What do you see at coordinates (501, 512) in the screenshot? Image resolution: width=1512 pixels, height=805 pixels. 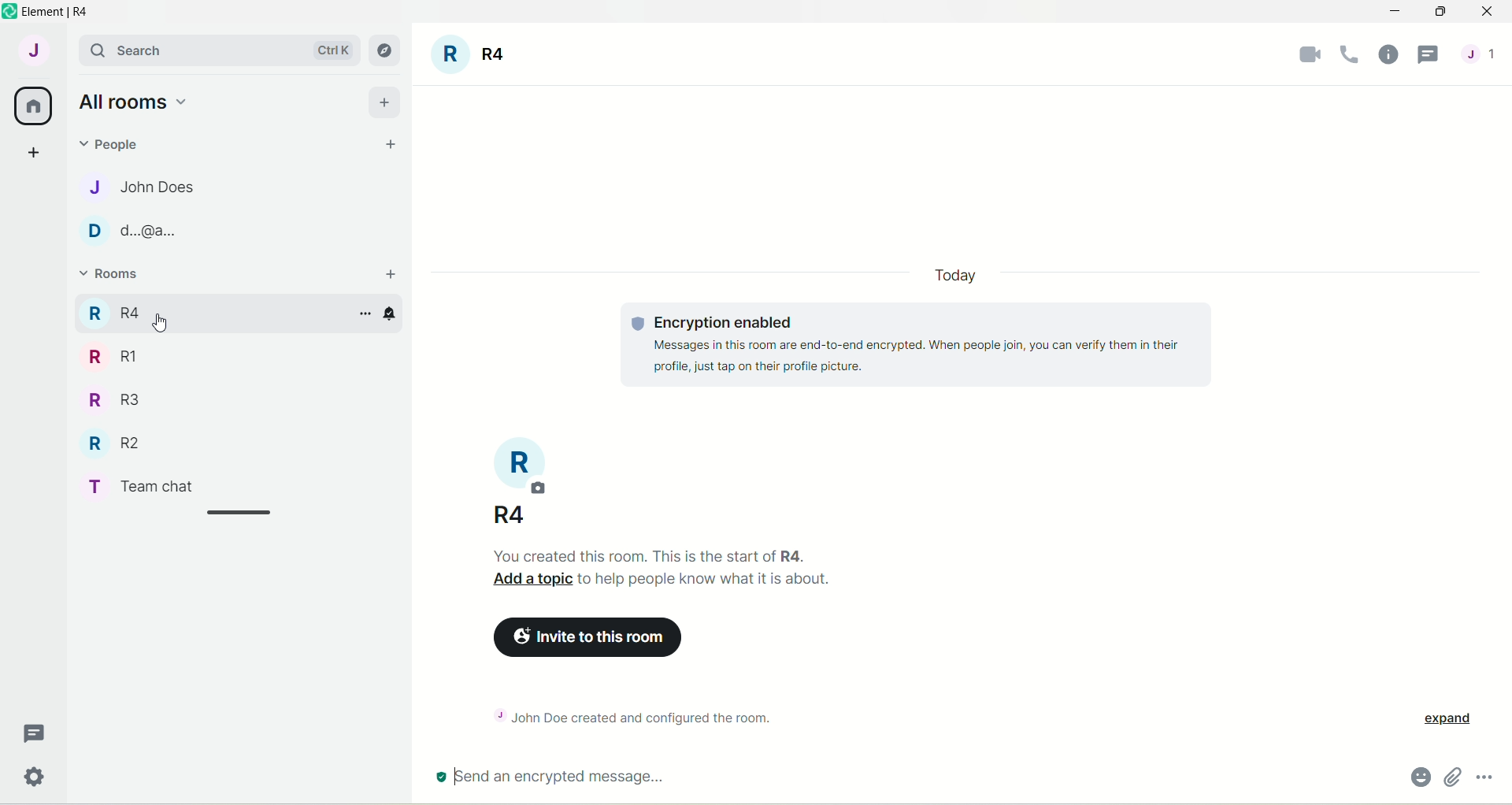 I see `RA4` at bounding box center [501, 512].